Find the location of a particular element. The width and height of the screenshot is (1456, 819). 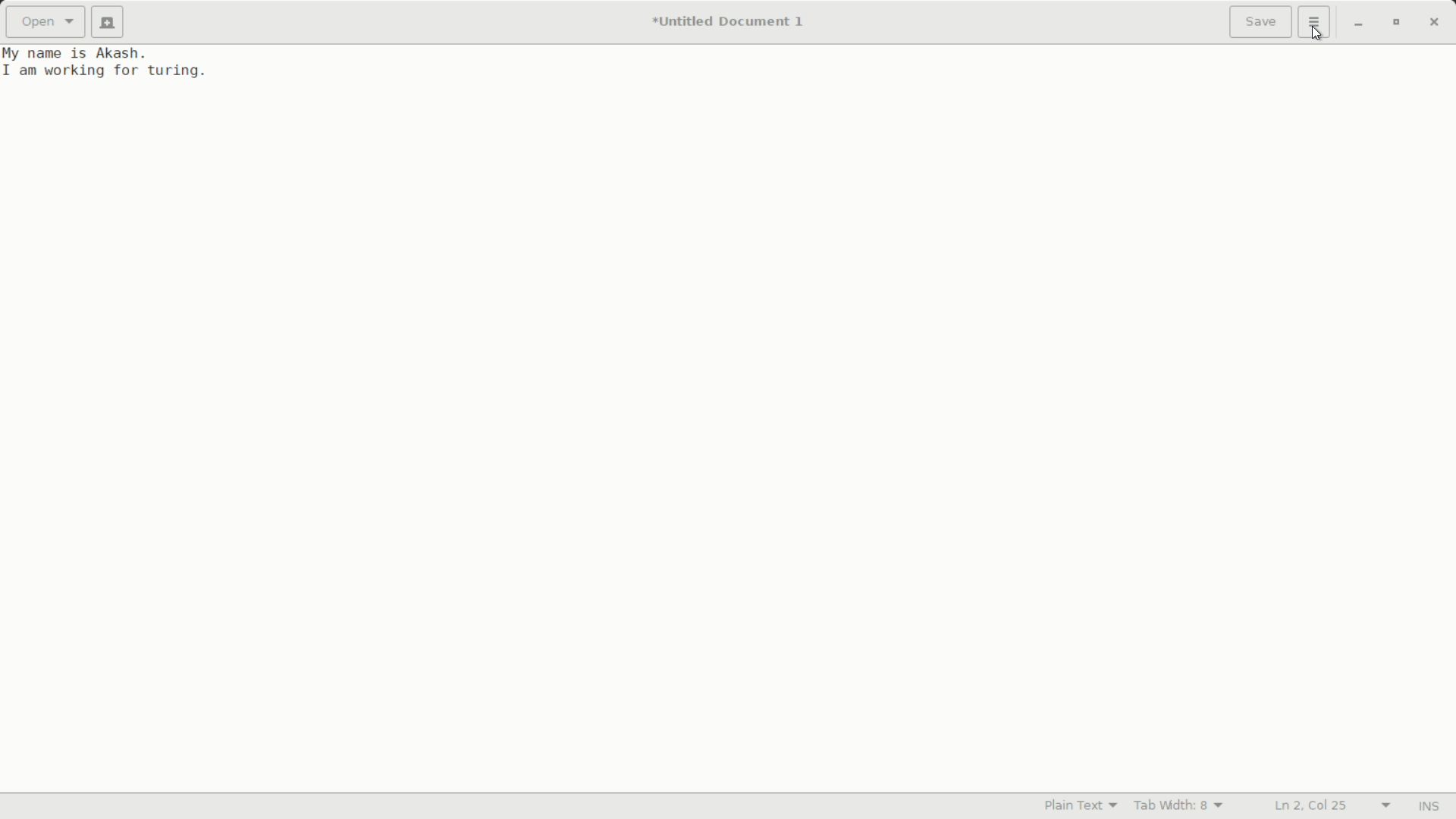

save is located at coordinates (1261, 24).